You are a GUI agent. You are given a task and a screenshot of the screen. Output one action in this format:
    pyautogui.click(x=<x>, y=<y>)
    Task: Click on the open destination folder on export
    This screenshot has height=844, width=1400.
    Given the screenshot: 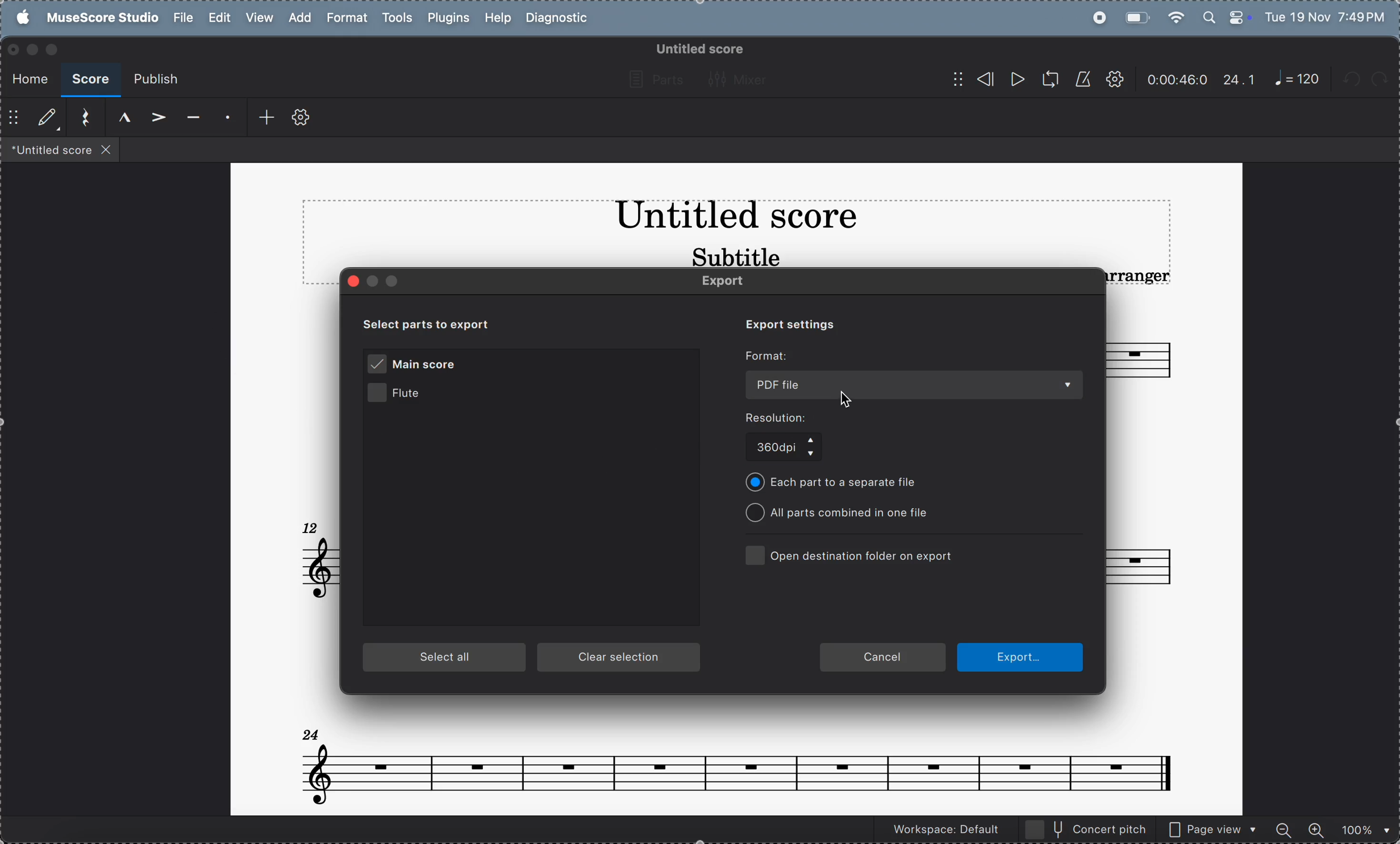 What is the action you would take?
    pyautogui.click(x=866, y=555)
    